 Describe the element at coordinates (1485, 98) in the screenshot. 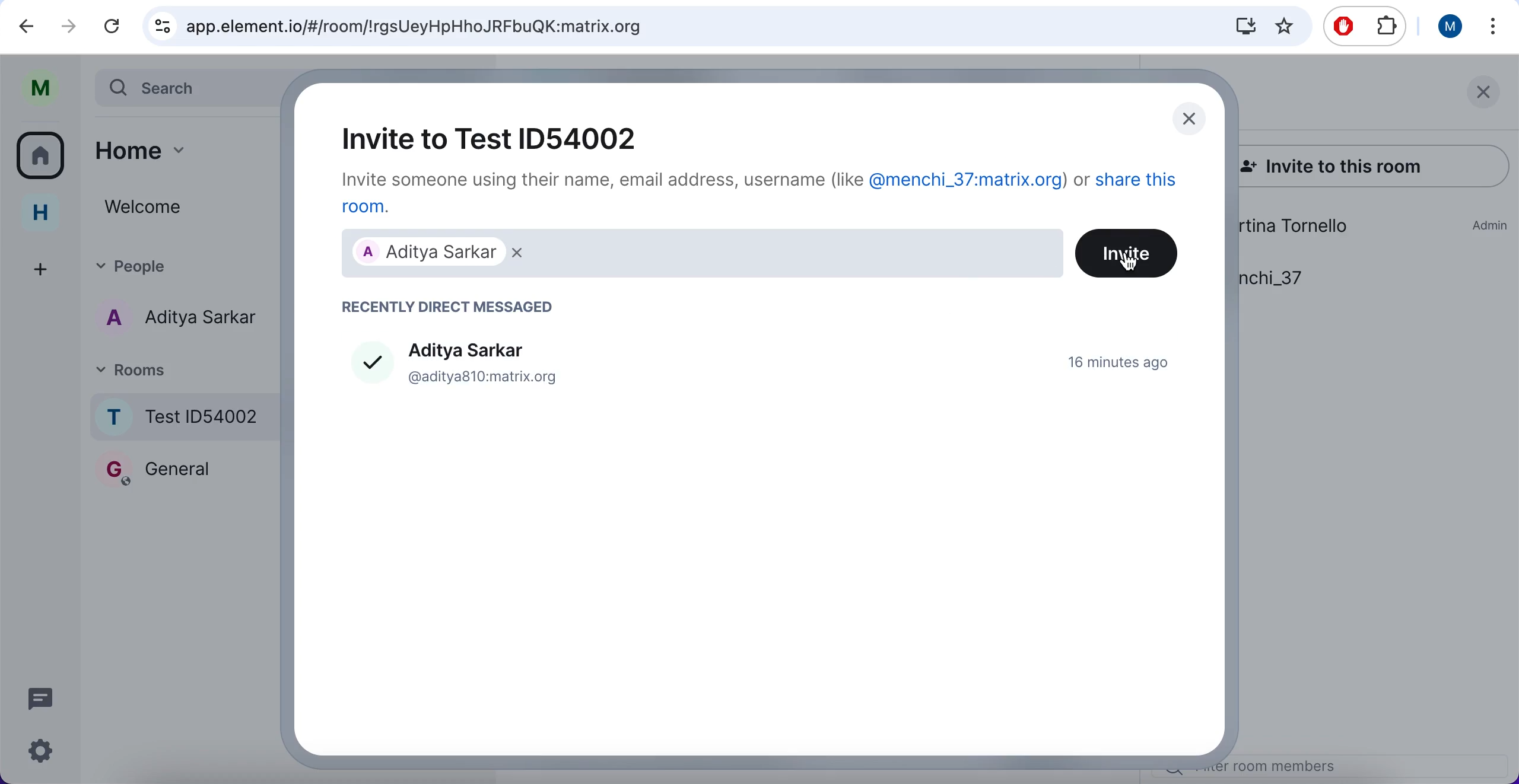

I see `close` at that location.